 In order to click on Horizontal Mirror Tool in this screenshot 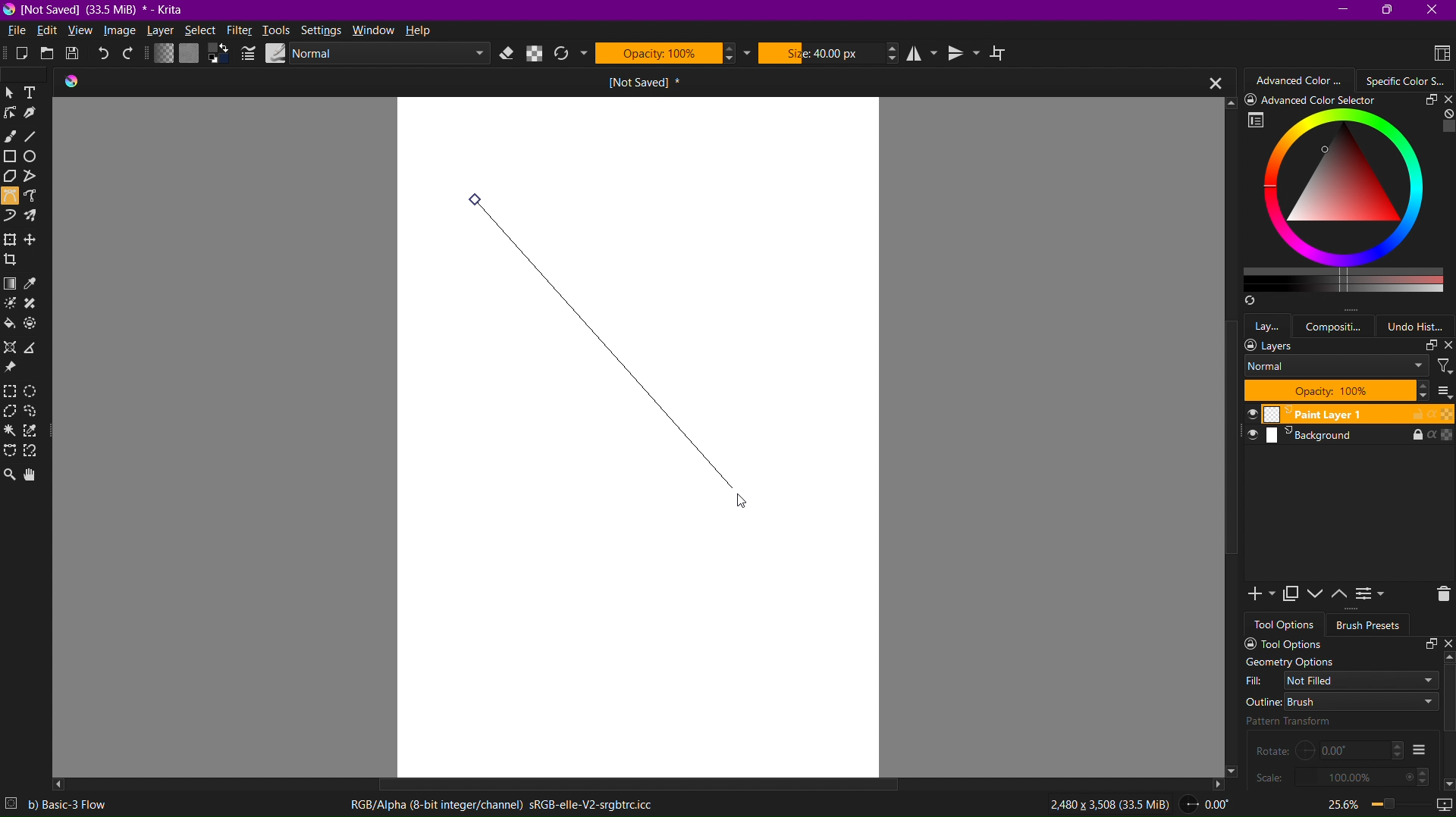, I will do `click(924, 53)`.